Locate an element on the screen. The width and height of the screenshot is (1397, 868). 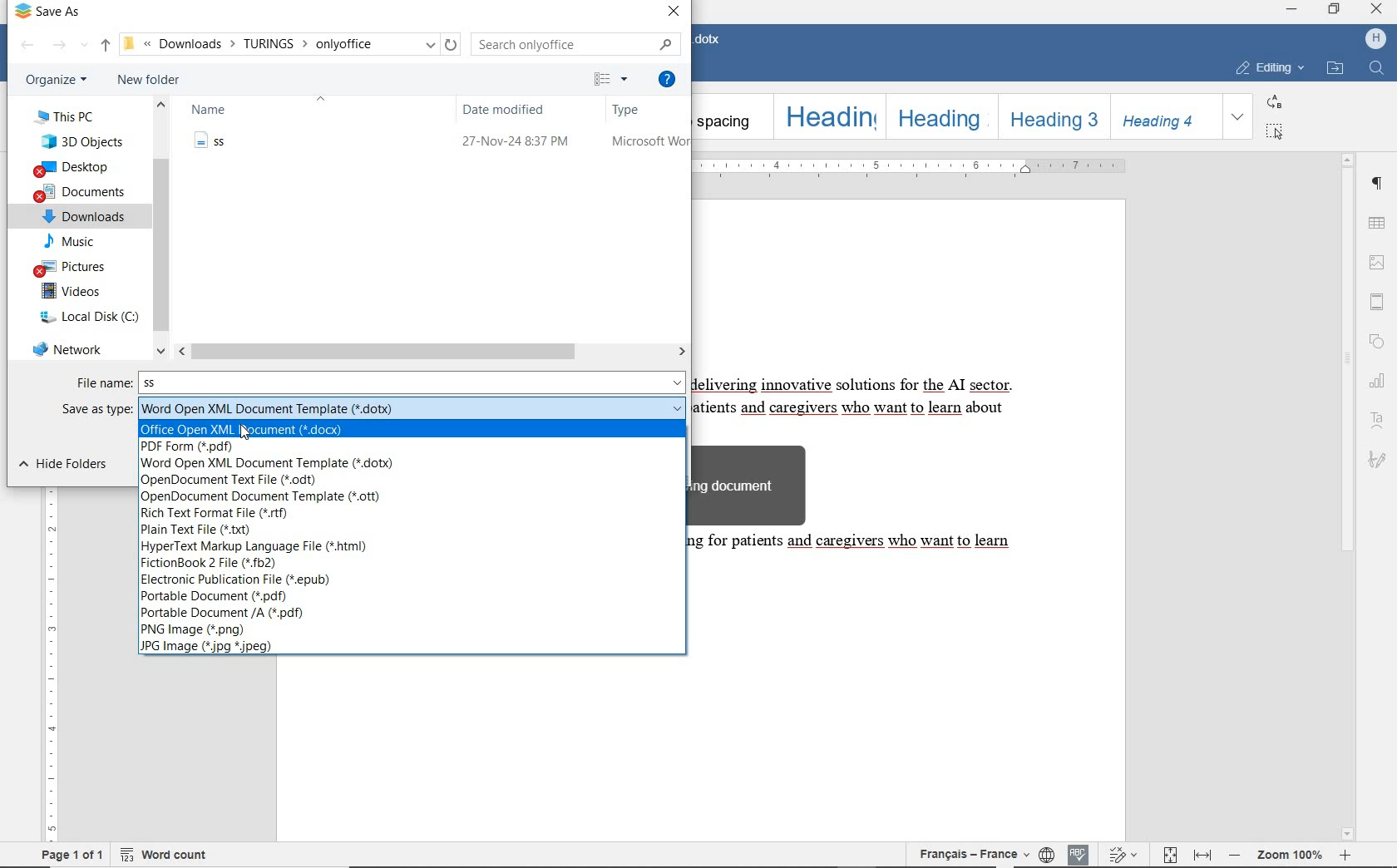
NAME is located at coordinates (214, 111).